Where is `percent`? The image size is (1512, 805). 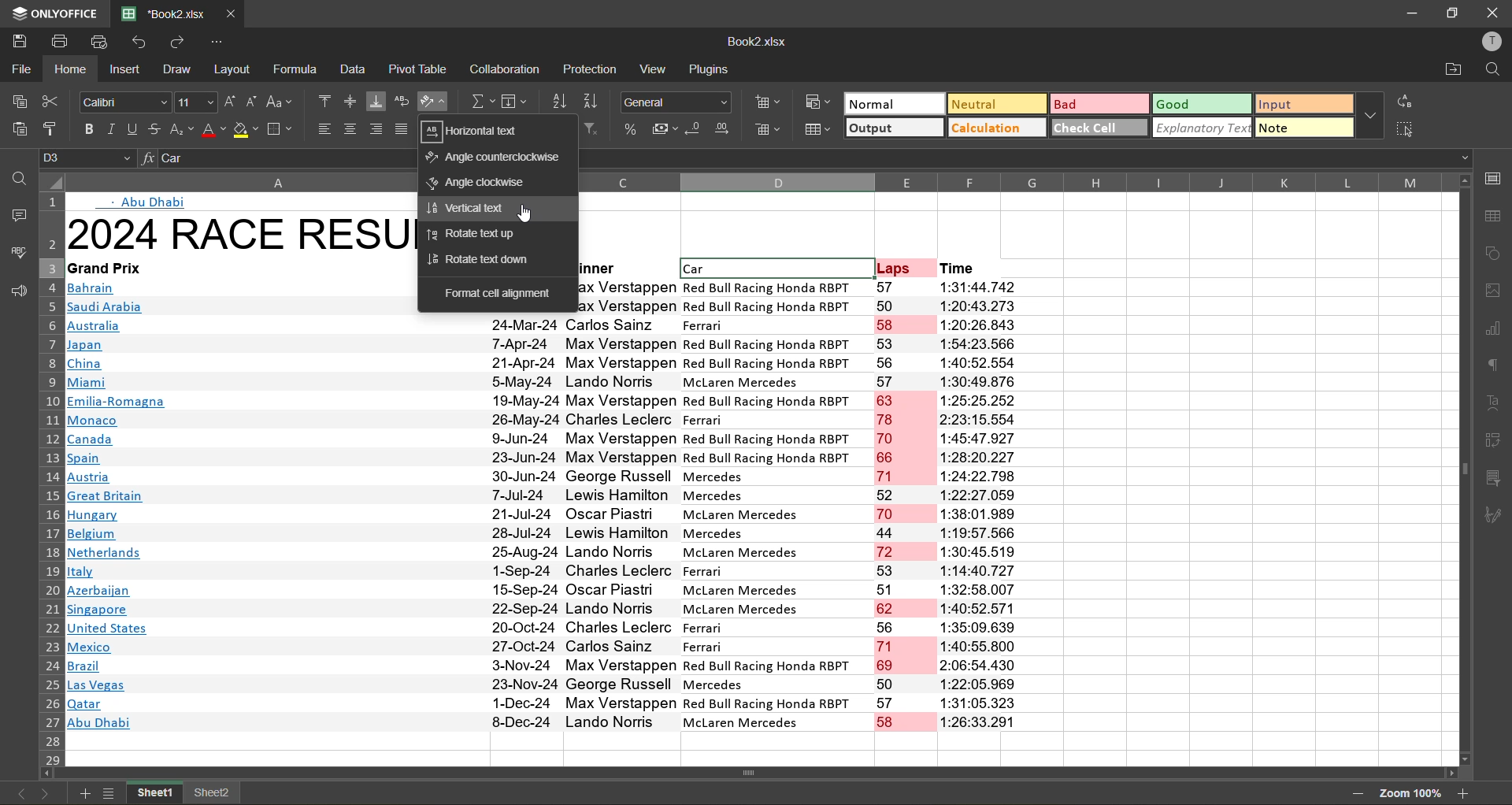 percent is located at coordinates (632, 128).